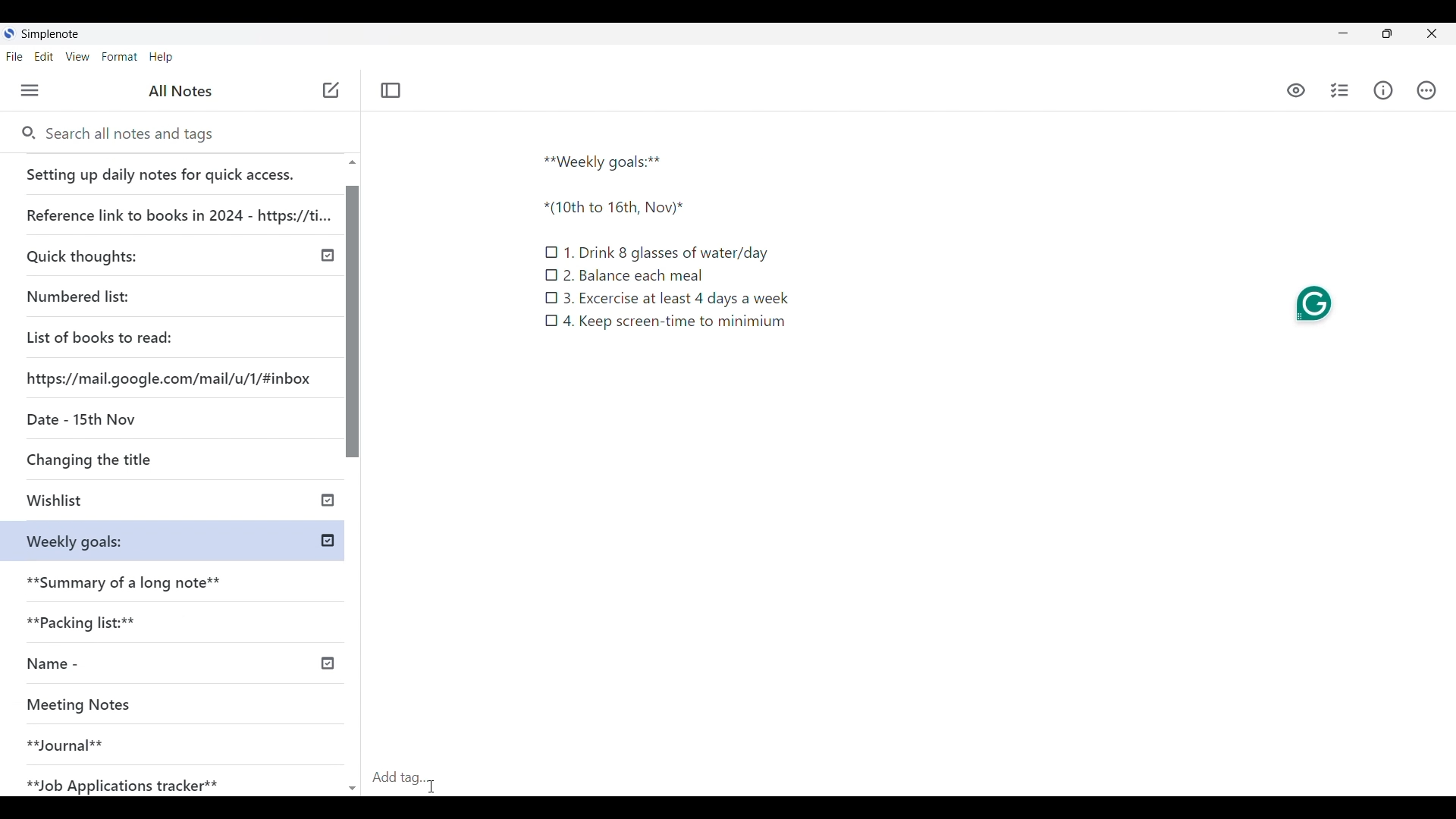  Describe the element at coordinates (30, 90) in the screenshot. I see `Menu` at that location.